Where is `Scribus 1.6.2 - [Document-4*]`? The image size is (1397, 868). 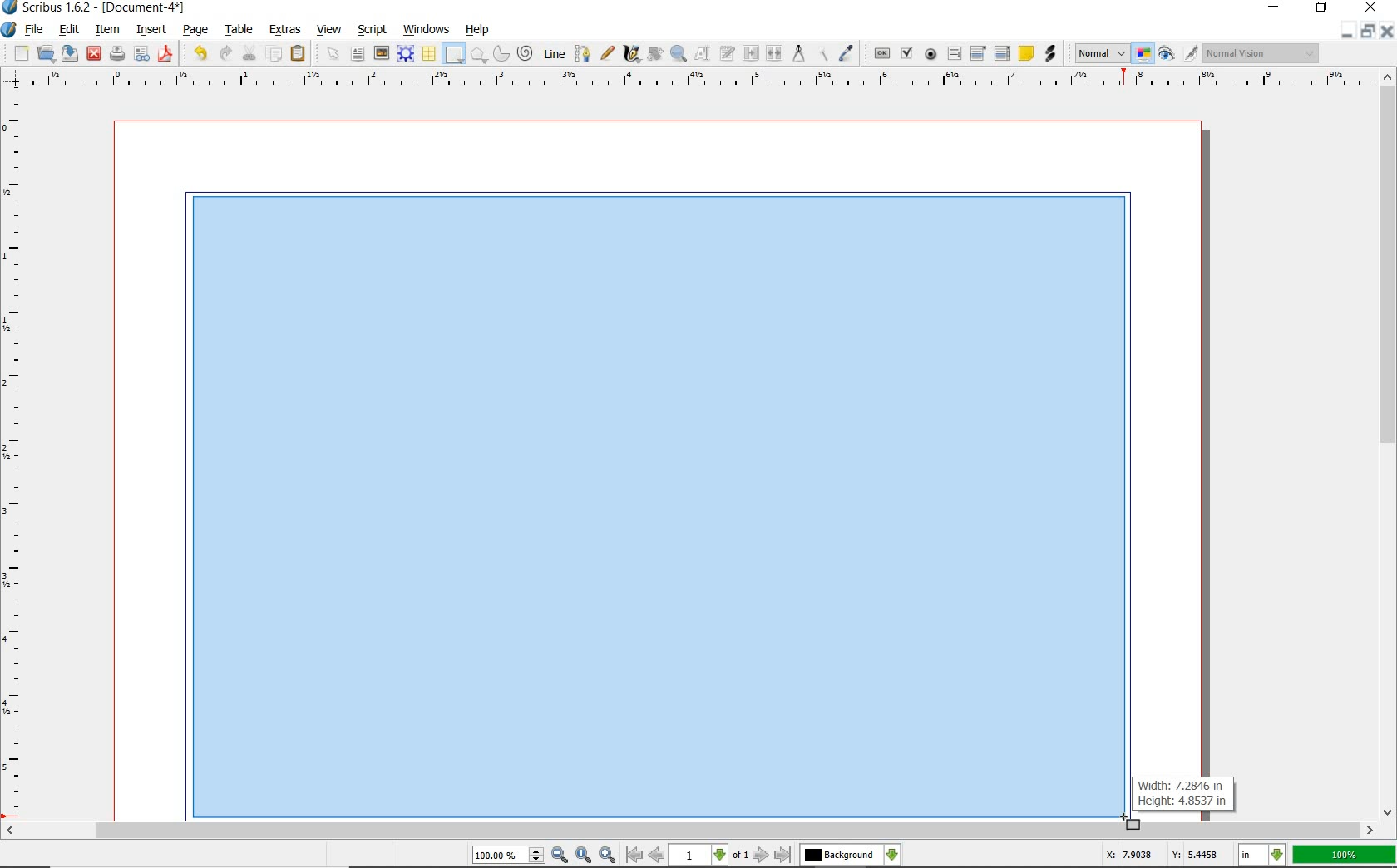
Scribus 1.6.2 - [Document-4*] is located at coordinates (96, 8).